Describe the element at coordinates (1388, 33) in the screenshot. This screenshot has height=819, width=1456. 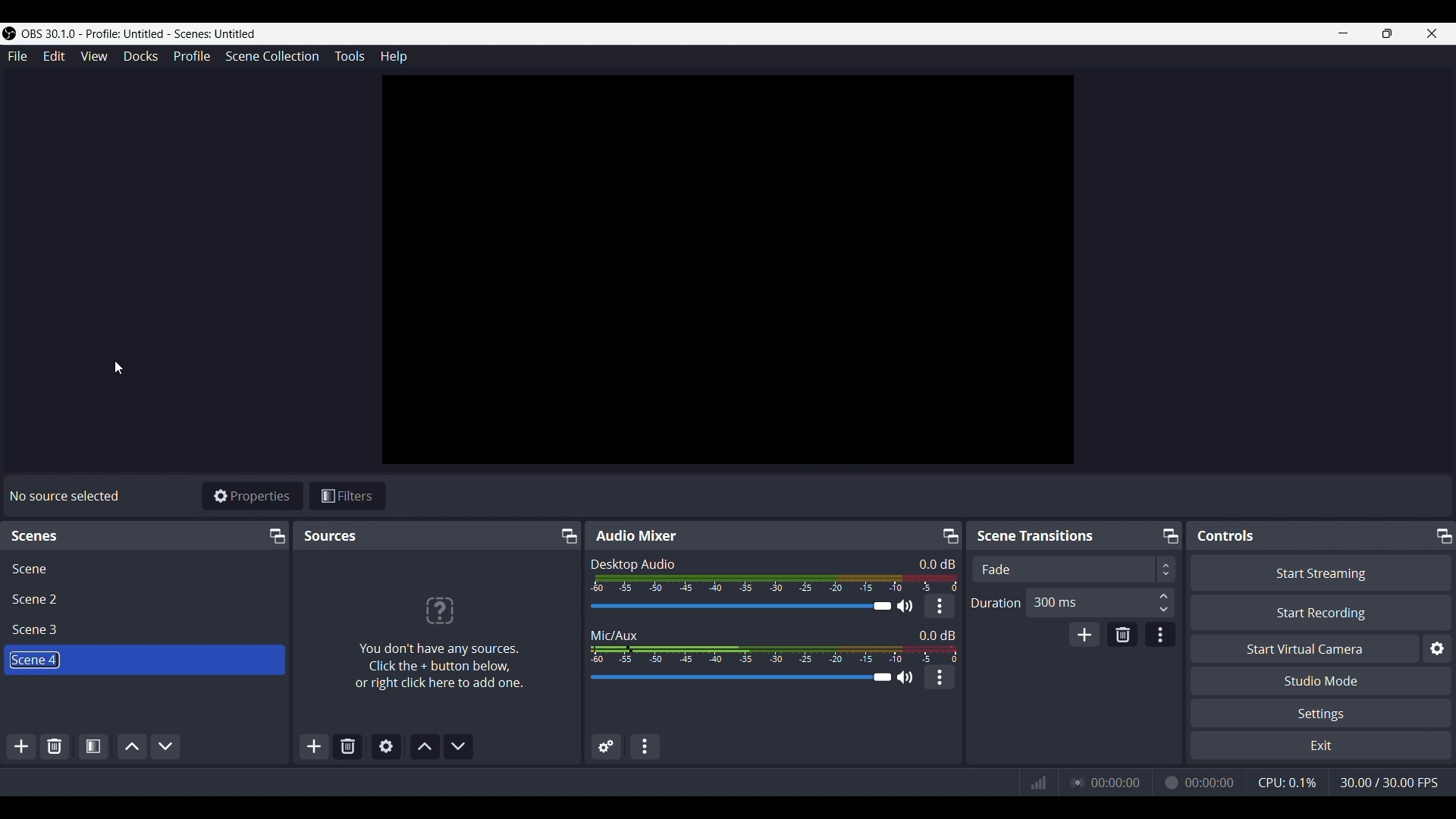
I see `Maximize` at that location.